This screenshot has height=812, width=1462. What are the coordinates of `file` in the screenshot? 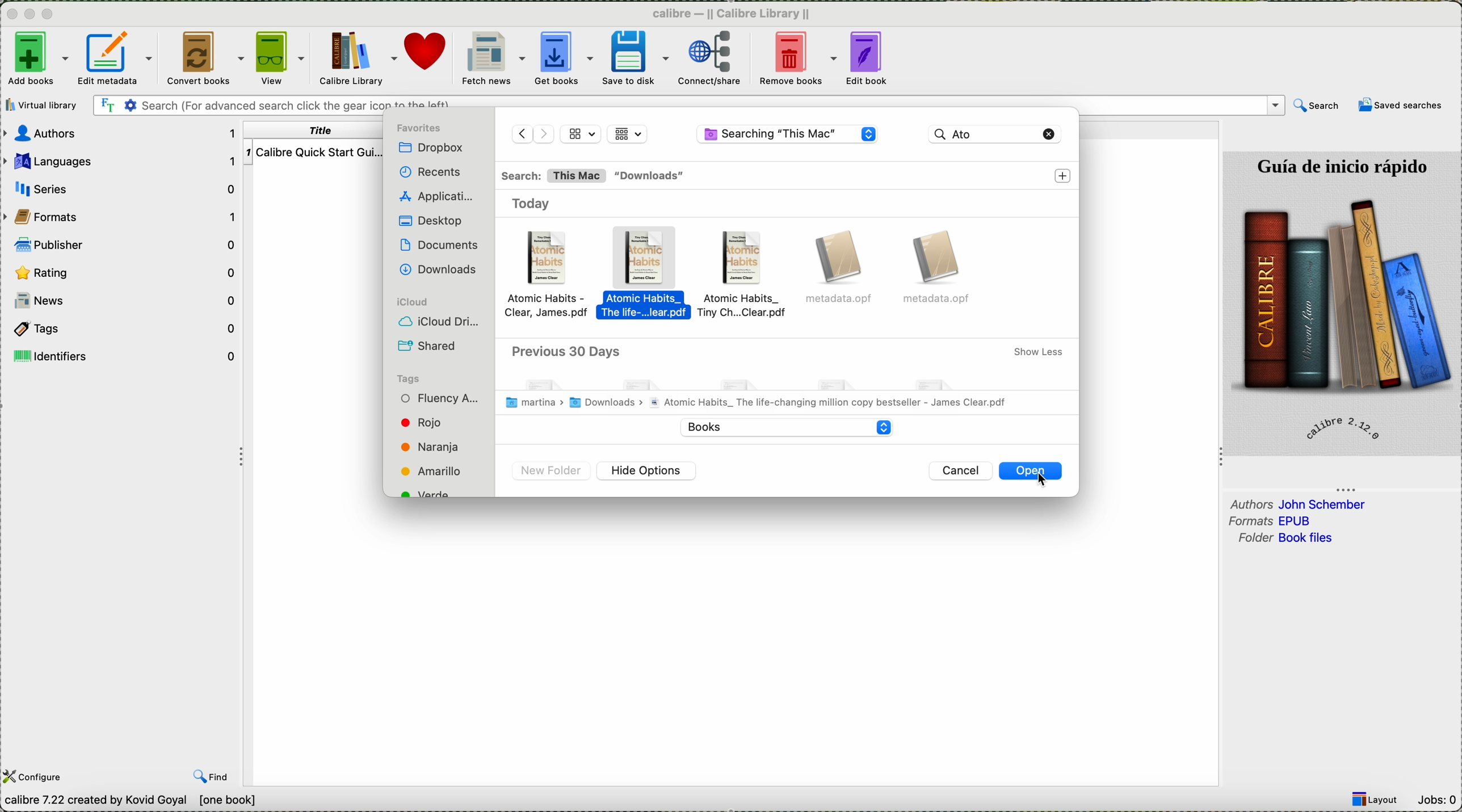 It's located at (842, 270).